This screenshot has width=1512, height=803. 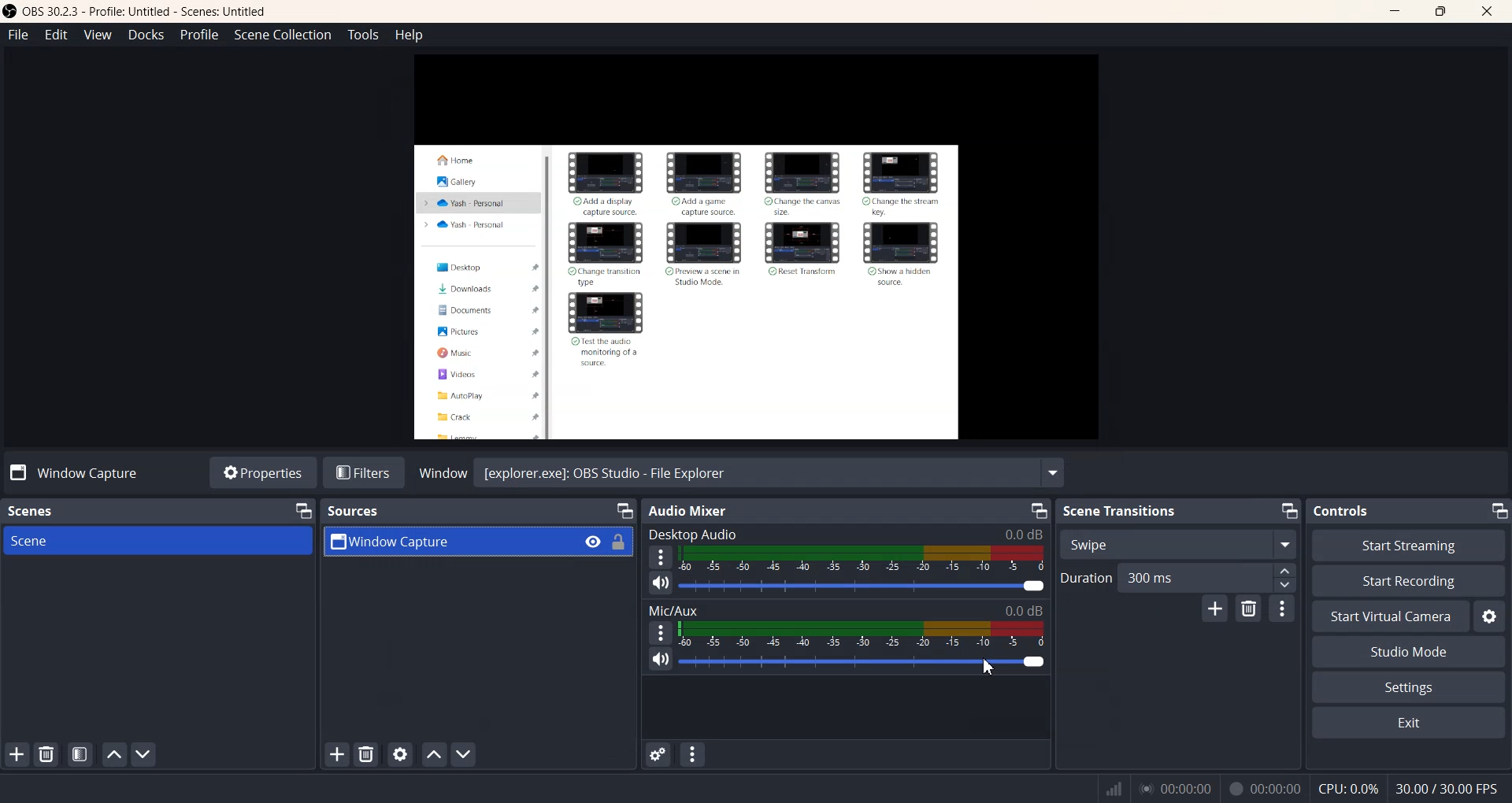 What do you see at coordinates (862, 586) in the screenshot?
I see `Volume Adjuster` at bounding box center [862, 586].